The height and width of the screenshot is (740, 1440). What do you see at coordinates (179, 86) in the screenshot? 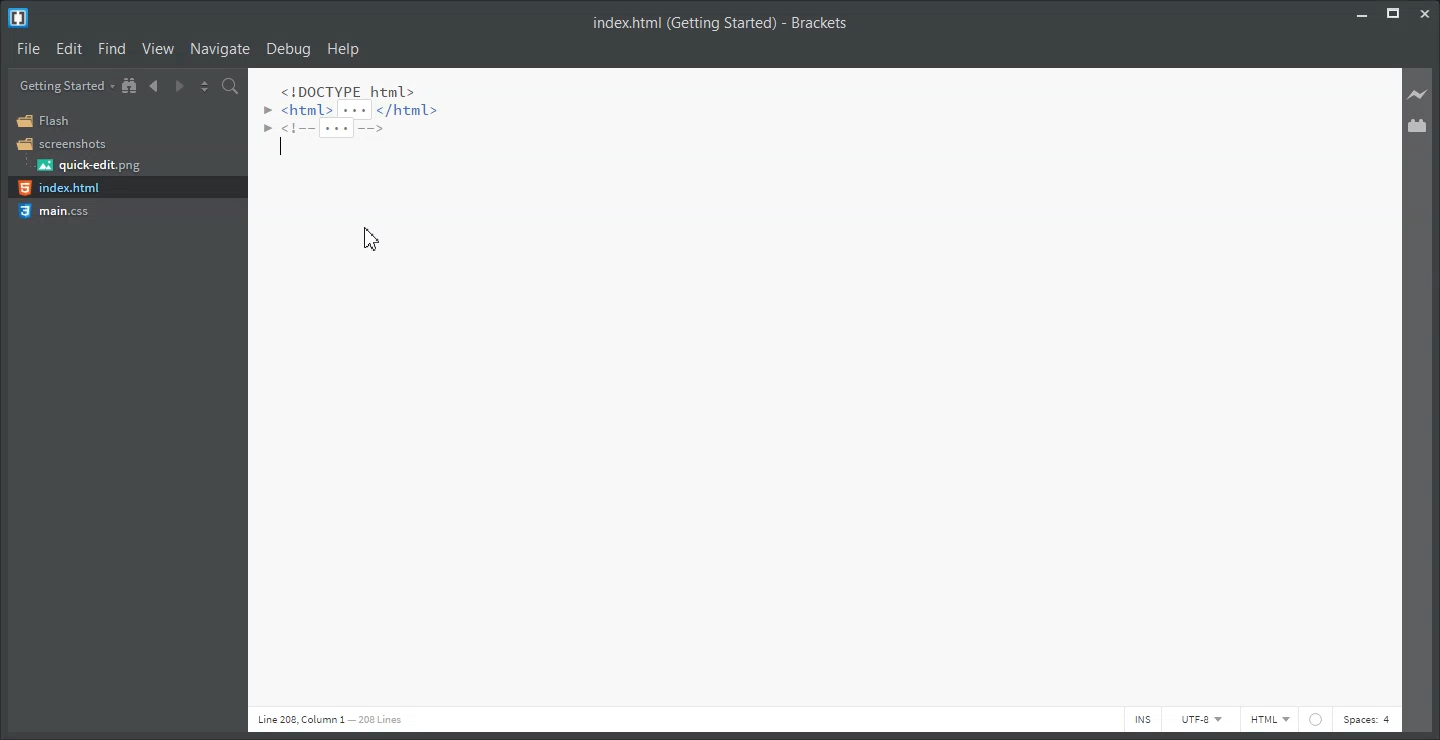
I see `Navigate Forward` at bounding box center [179, 86].